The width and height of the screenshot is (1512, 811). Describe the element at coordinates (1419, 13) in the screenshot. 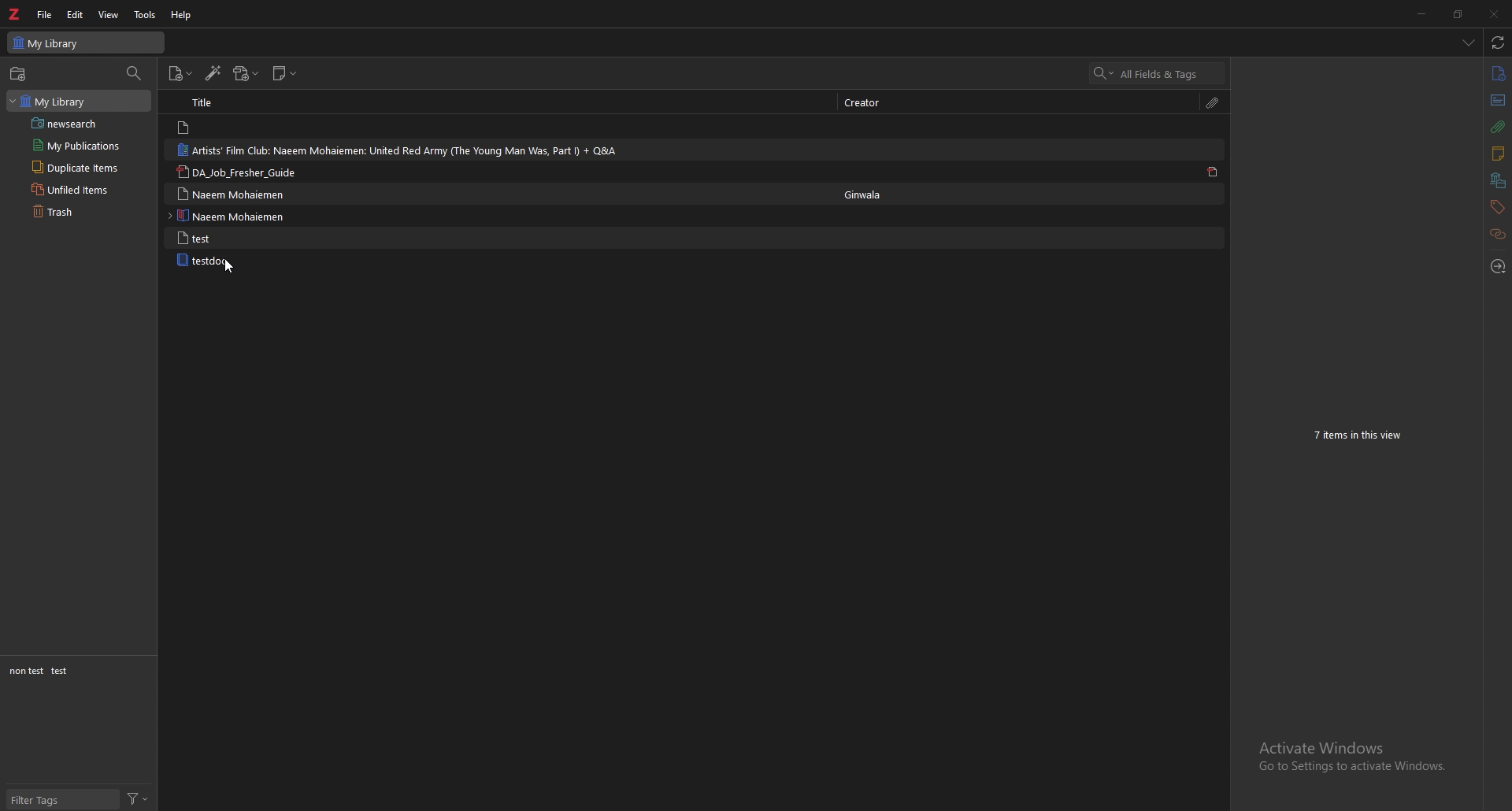

I see `minimize` at that location.